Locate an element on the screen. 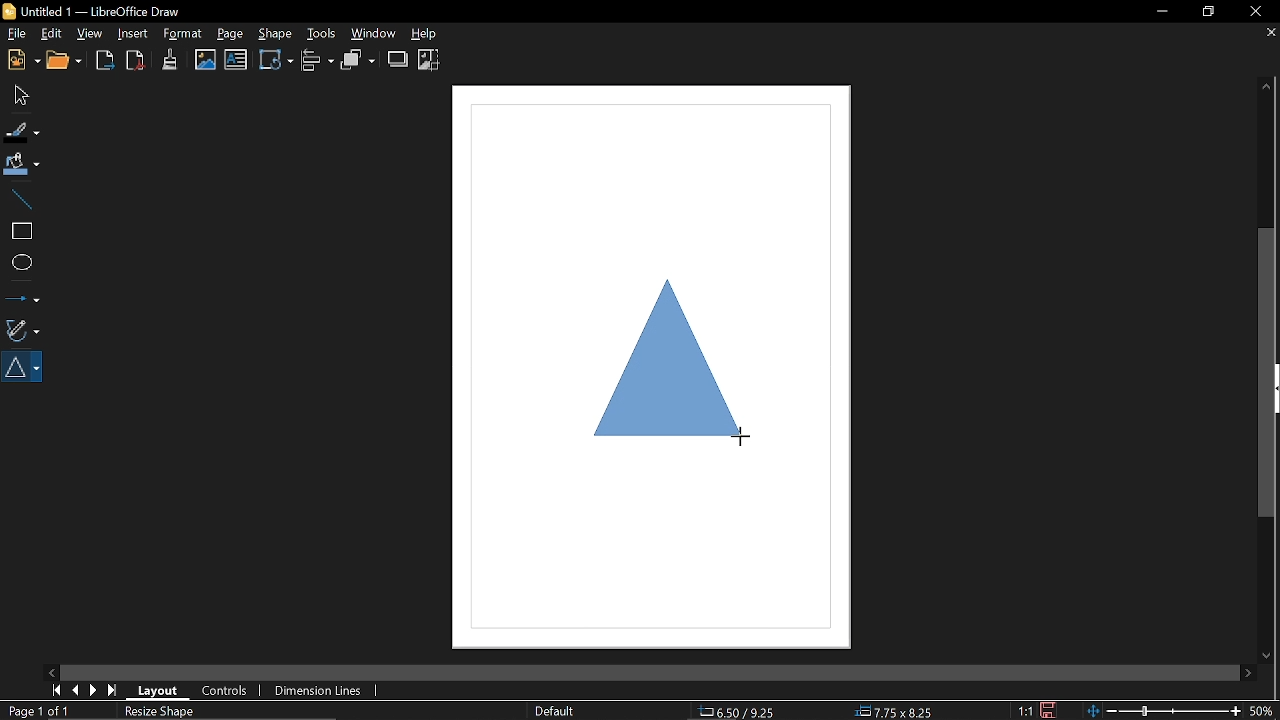 The height and width of the screenshot is (720, 1280). dimension lines is located at coordinates (316, 692).